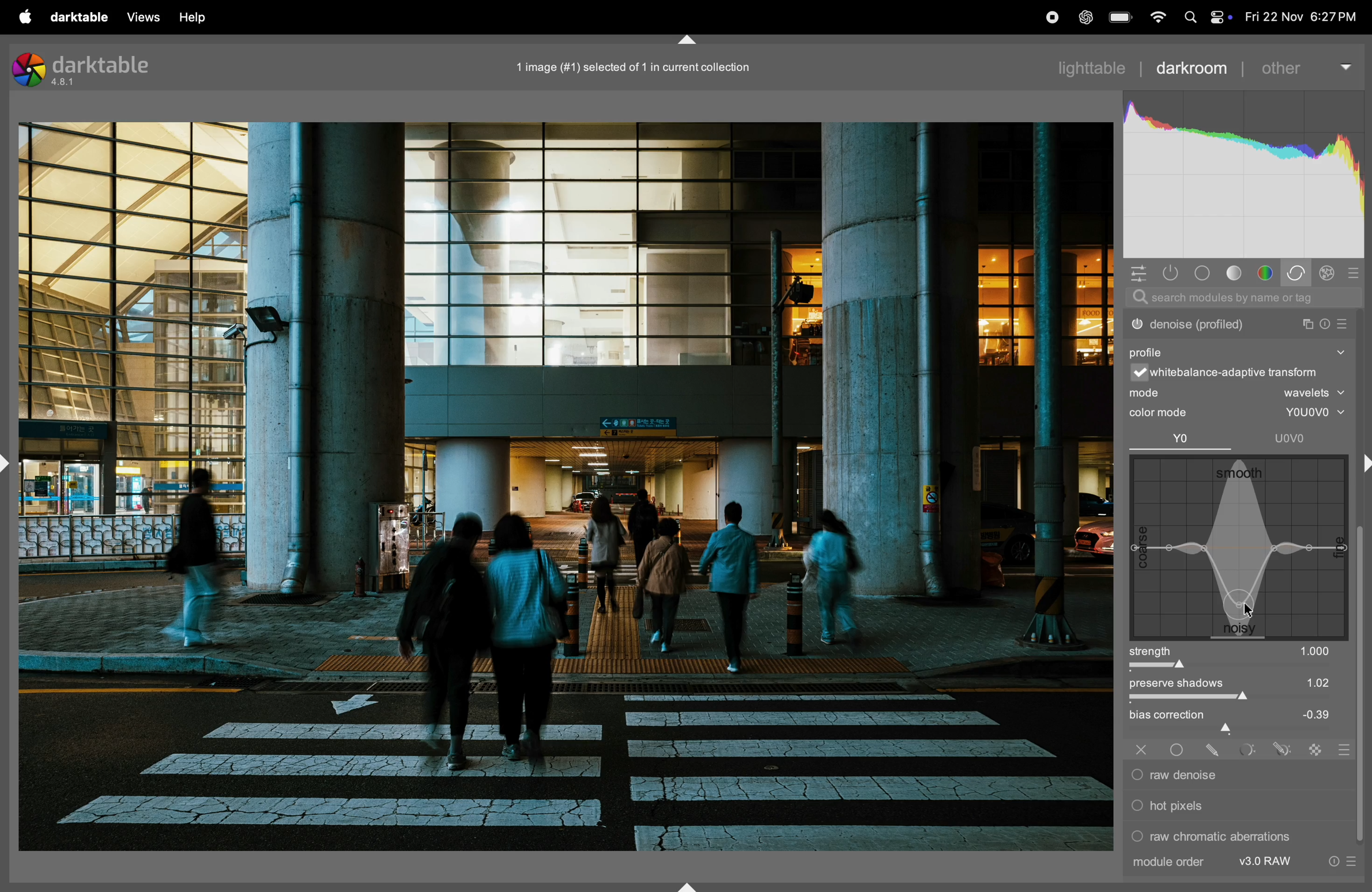  Describe the element at coordinates (1120, 18) in the screenshot. I see `battery` at that location.